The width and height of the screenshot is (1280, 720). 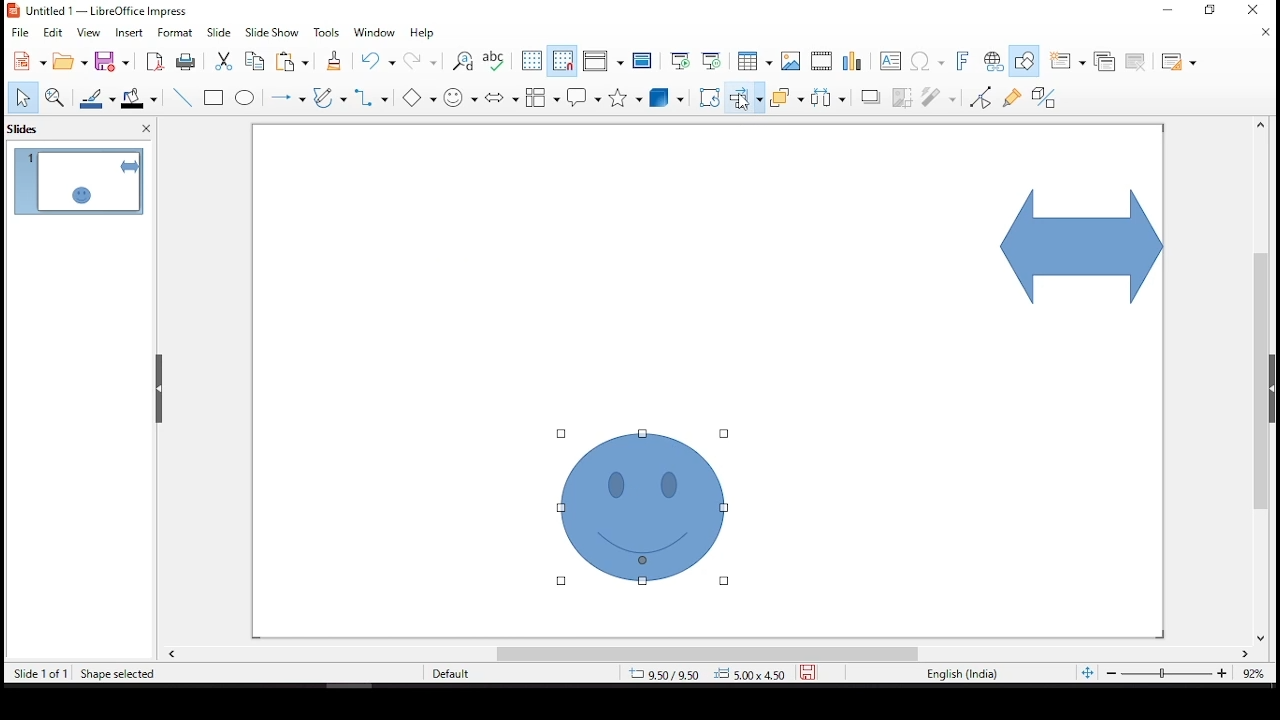 I want to click on redo, so click(x=419, y=62).